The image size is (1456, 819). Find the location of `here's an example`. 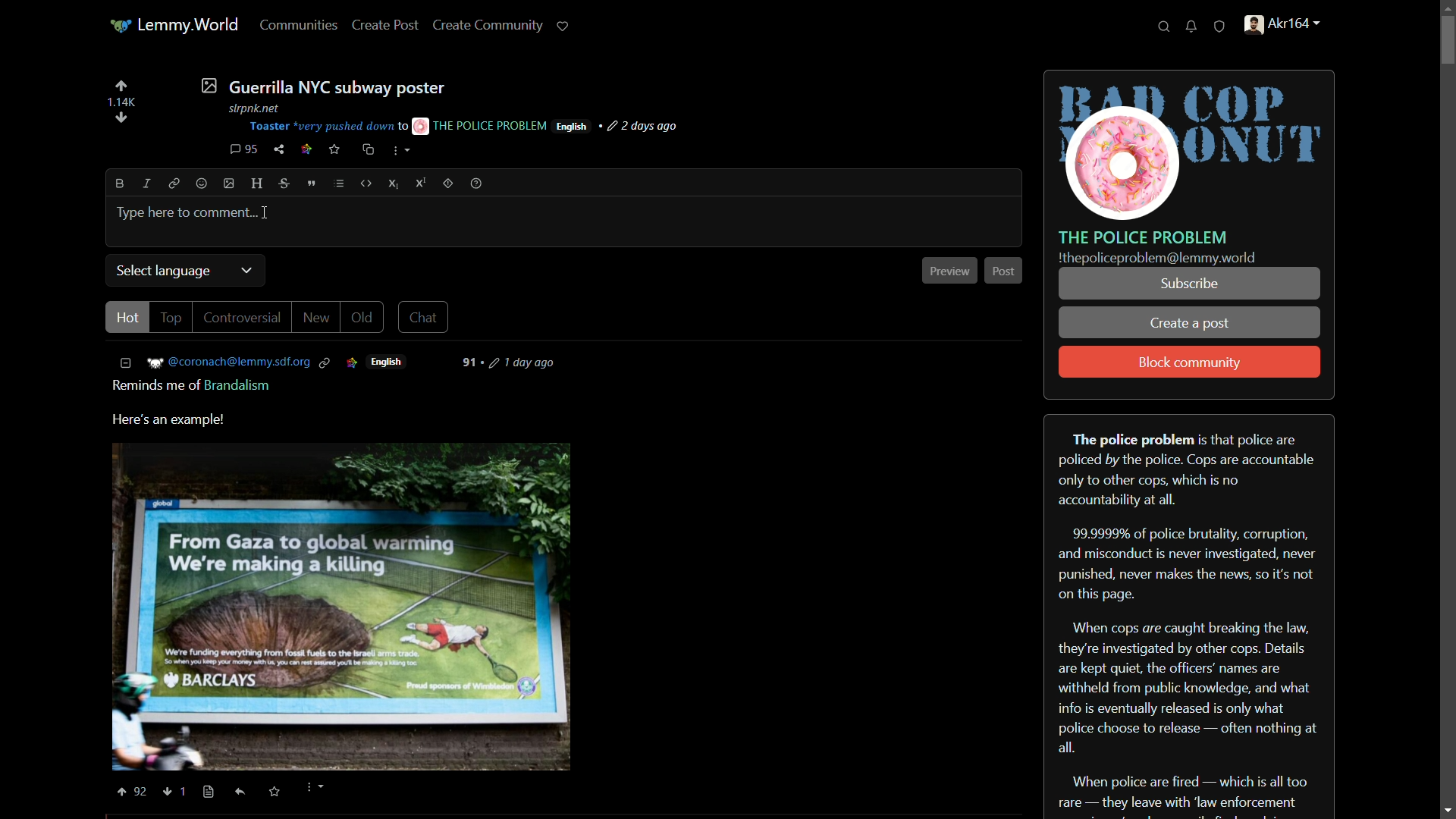

here's an example is located at coordinates (170, 420).